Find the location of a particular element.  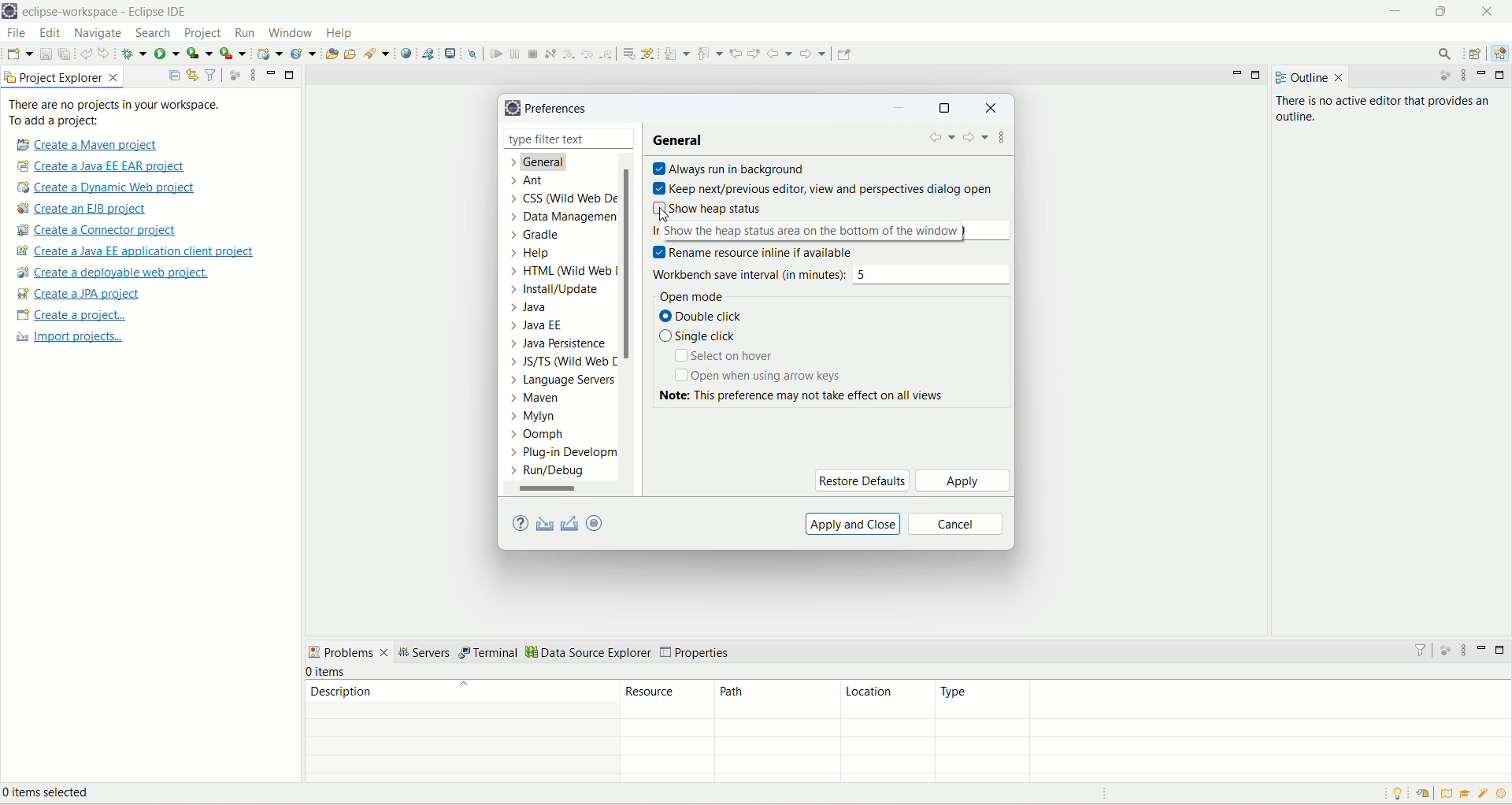

pin editor is located at coordinates (844, 54).